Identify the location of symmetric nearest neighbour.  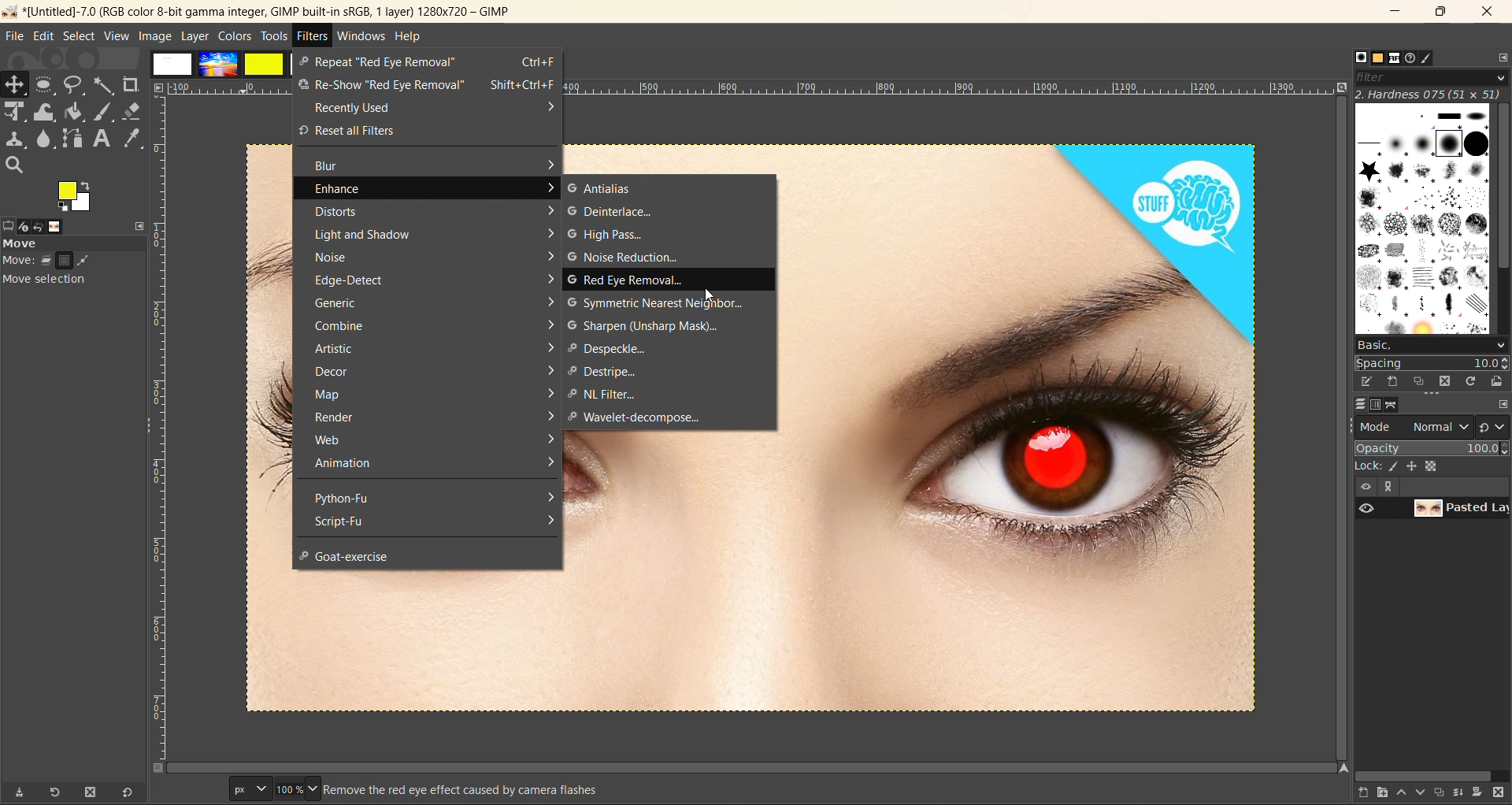
(657, 302).